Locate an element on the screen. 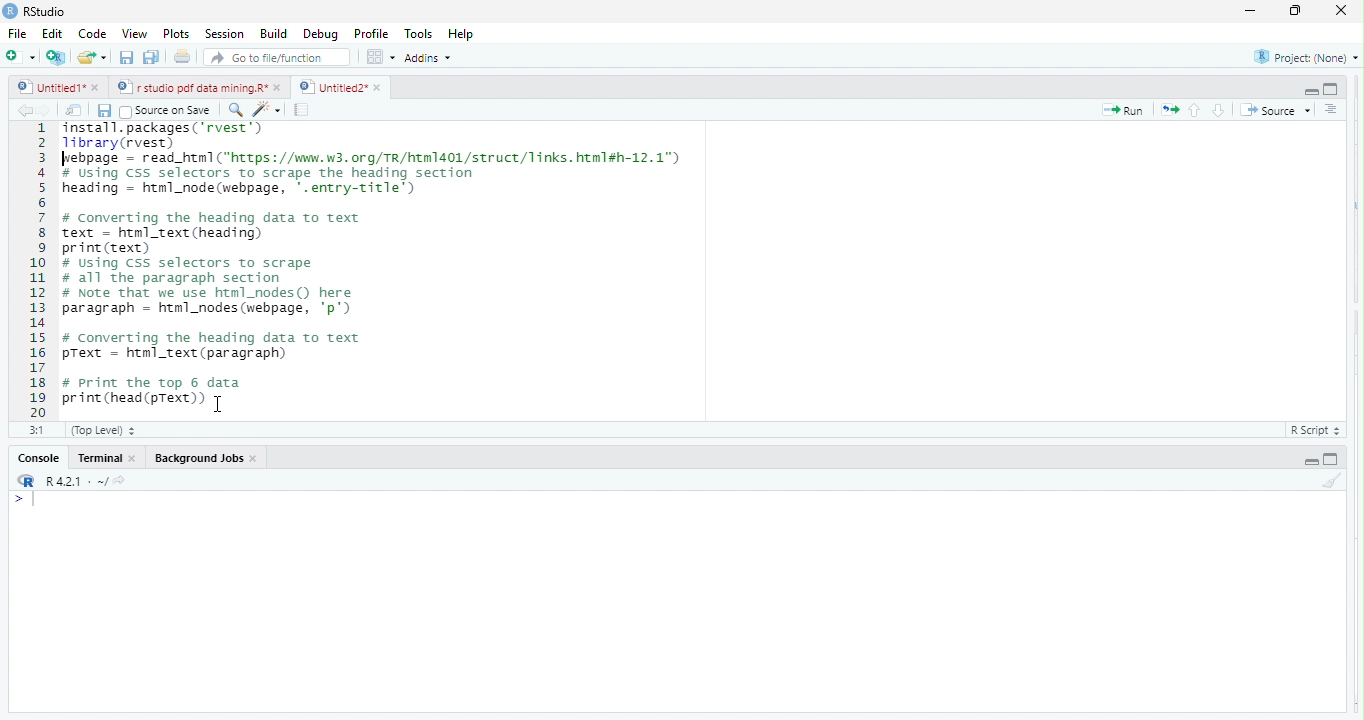  go forward to the next source location is located at coordinates (48, 112).